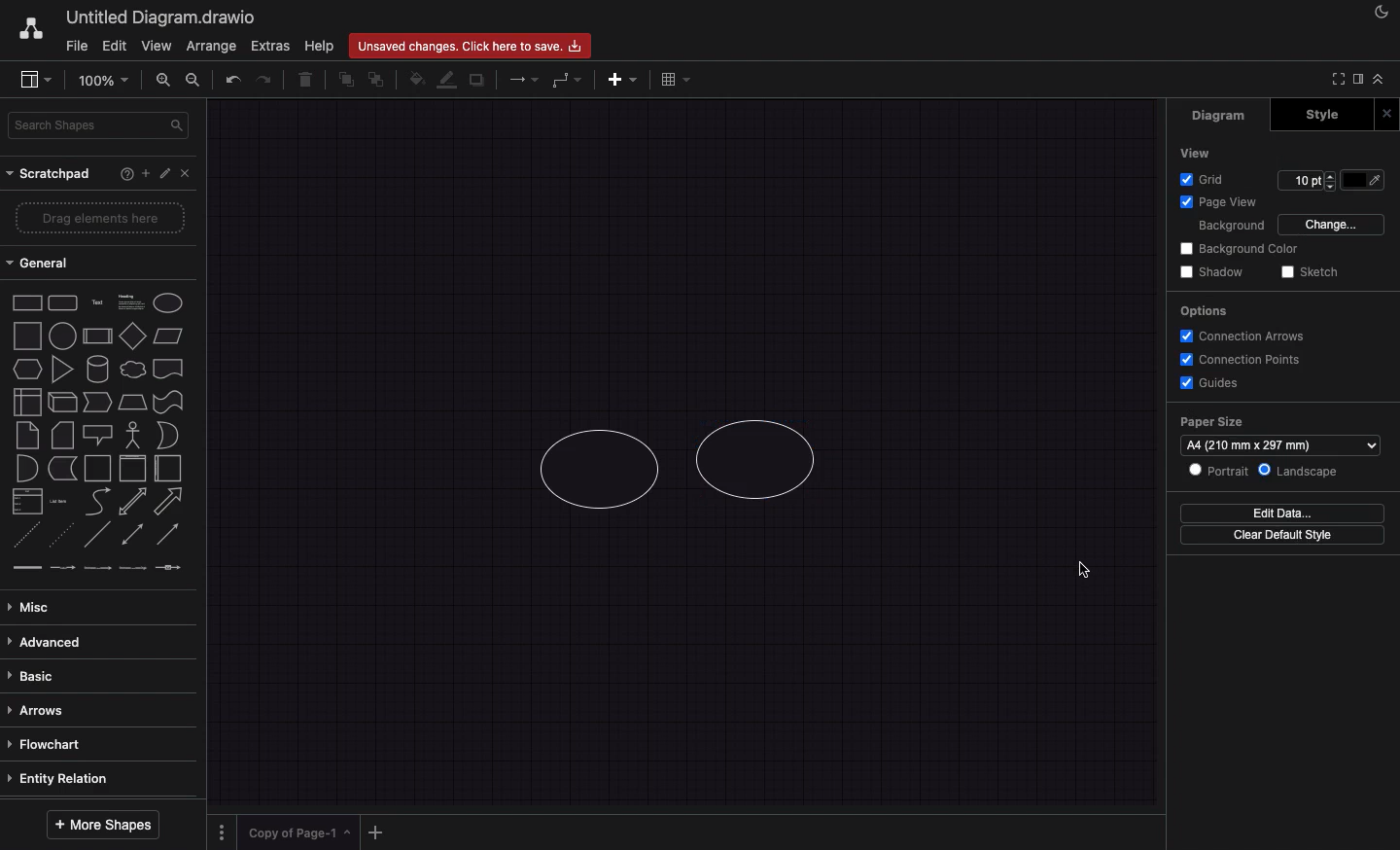 This screenshot has height=850, width=1400. What do you see at coordinates (1220, 116) in the screenshot?
I see `diagram` at bounding box center [1220, 116].